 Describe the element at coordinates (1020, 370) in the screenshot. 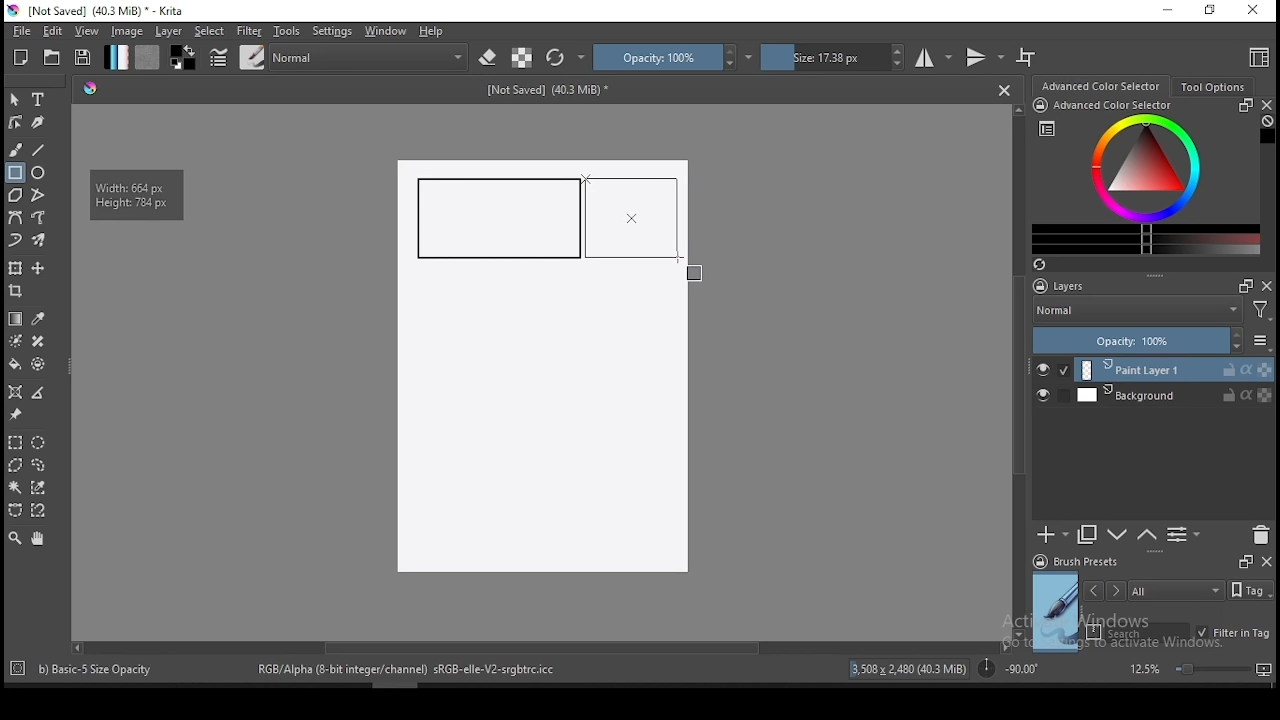

I see `scroll bar` at that location.